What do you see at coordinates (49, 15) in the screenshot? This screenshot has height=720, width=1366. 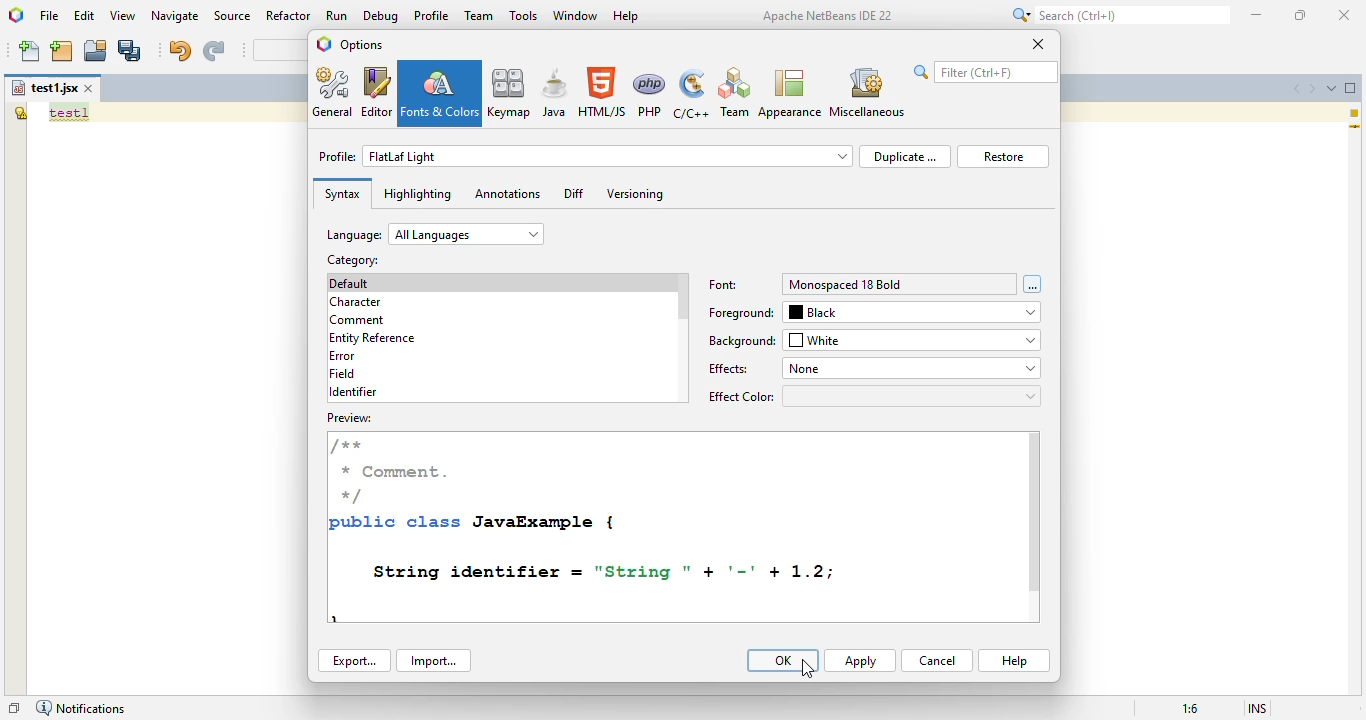 I see `file` at bounding box center [49, 15].